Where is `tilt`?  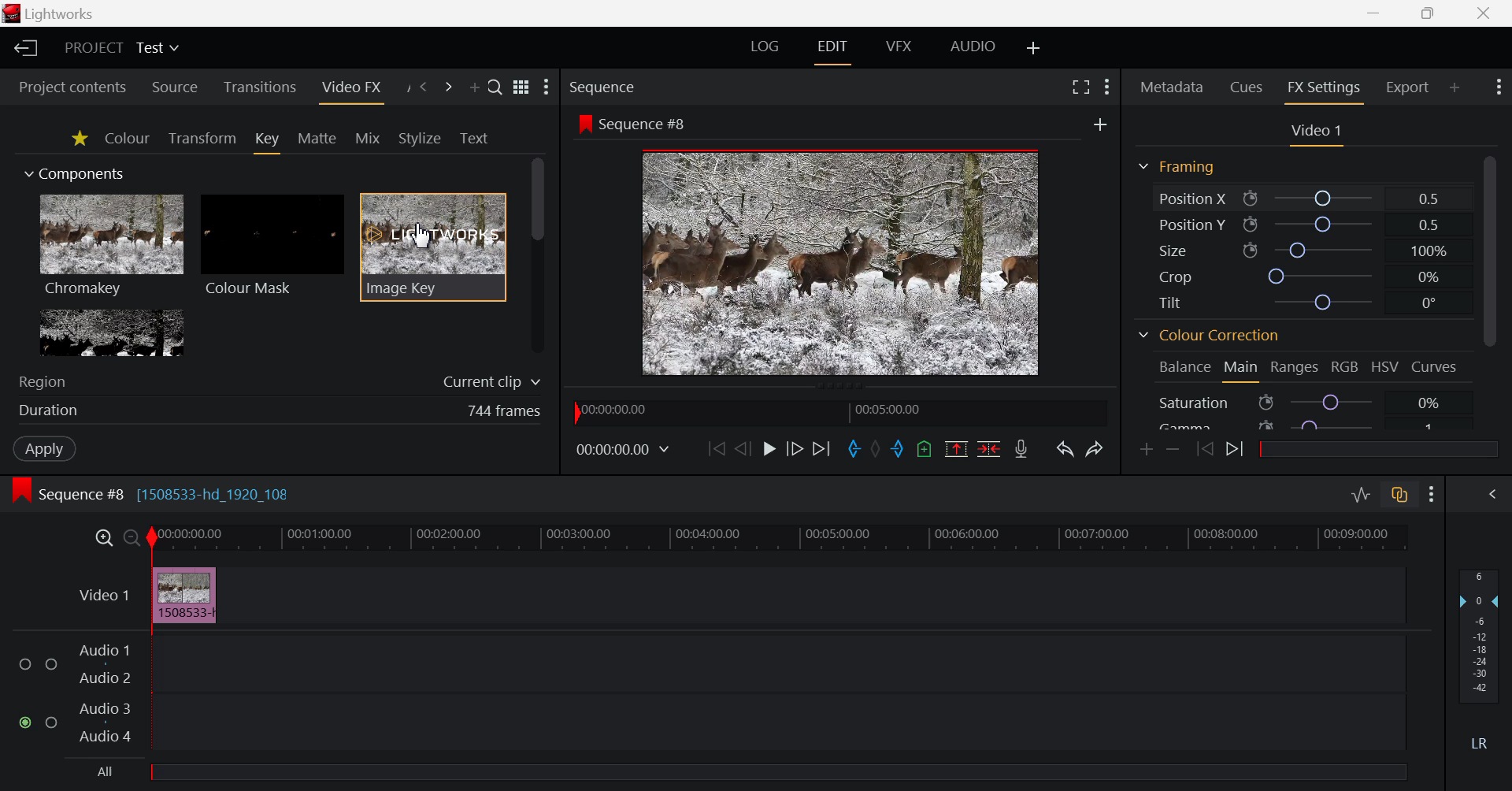
tilt is located at coordinates (1321, 302).